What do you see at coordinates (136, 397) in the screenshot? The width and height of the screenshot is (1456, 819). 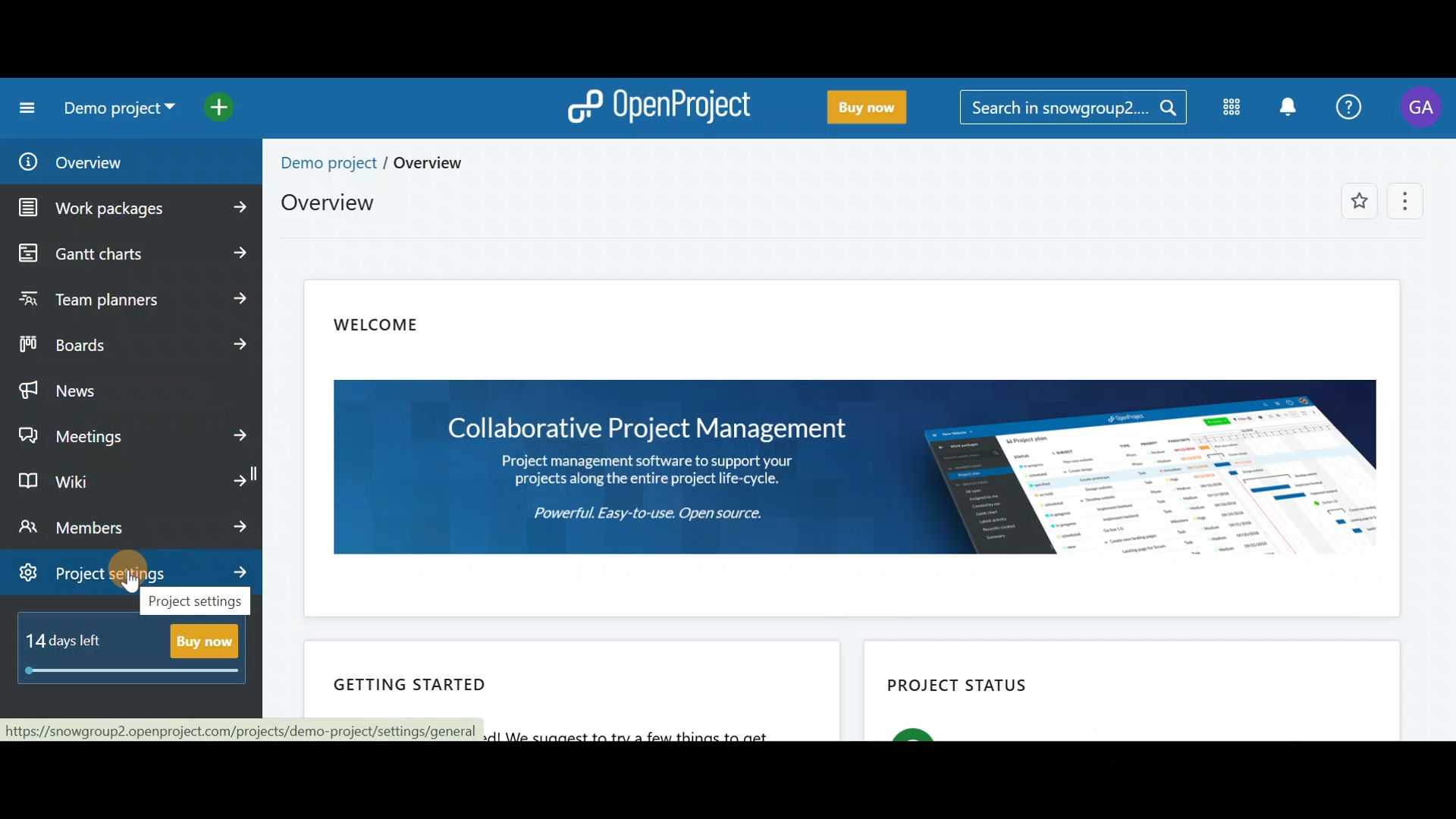 I see `News` at bounding box center [136, 397].